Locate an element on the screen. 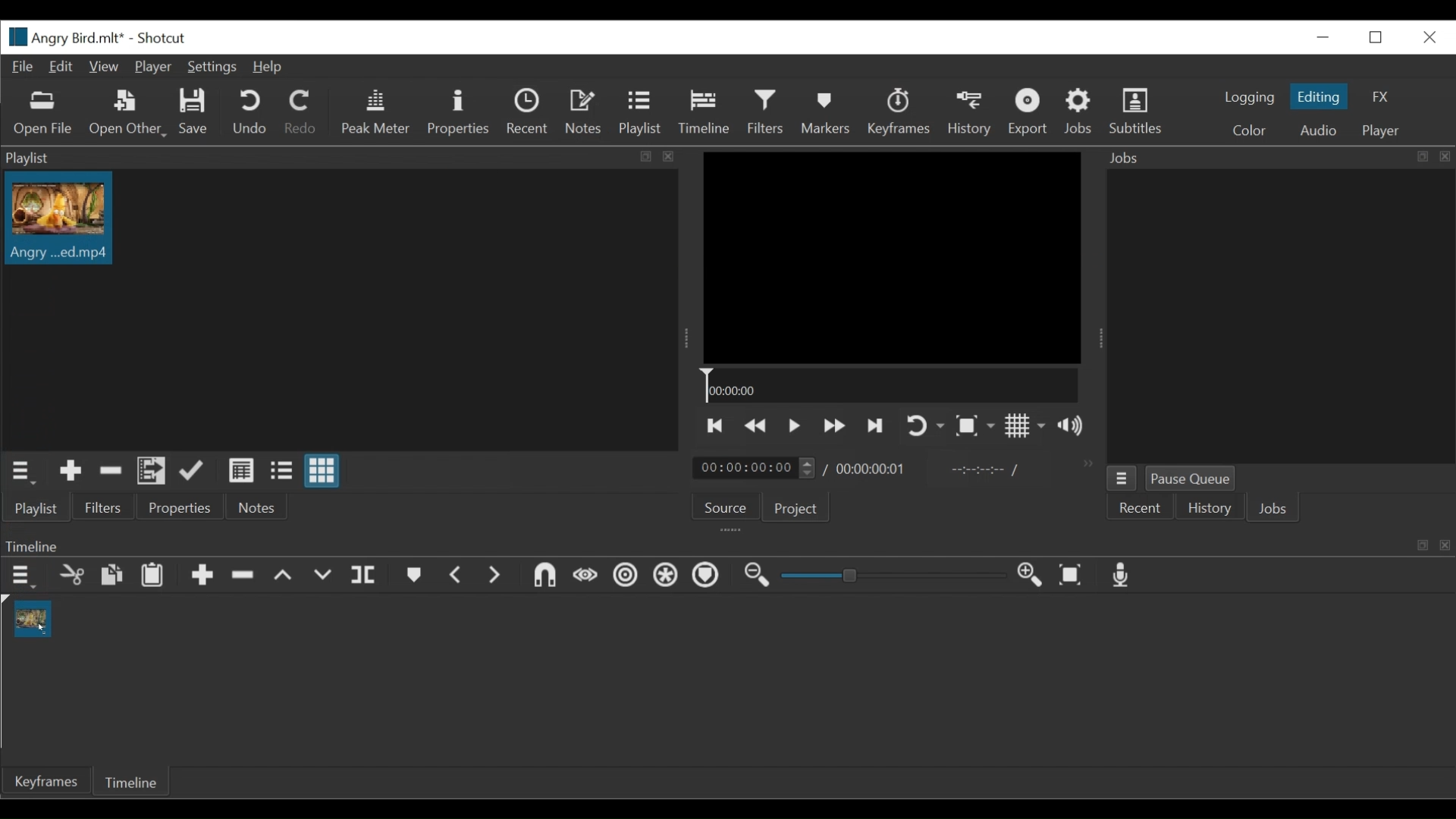 The height and width of the screenshot is (819, 1456). FX is located at coordinates (1379, 98).